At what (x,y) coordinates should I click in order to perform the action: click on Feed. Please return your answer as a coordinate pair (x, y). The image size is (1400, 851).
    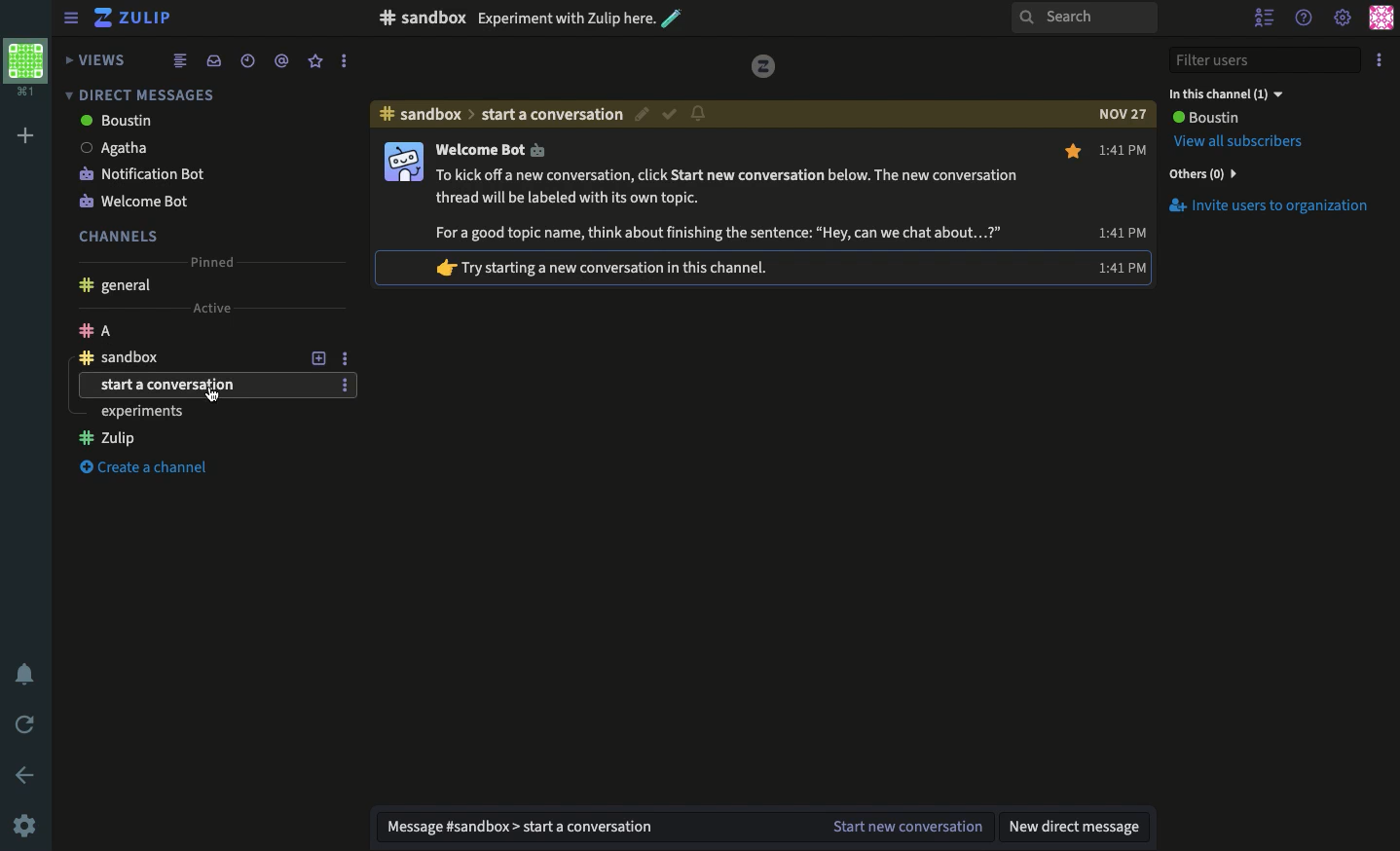
    Looking at the image, I should click on (180, 59).